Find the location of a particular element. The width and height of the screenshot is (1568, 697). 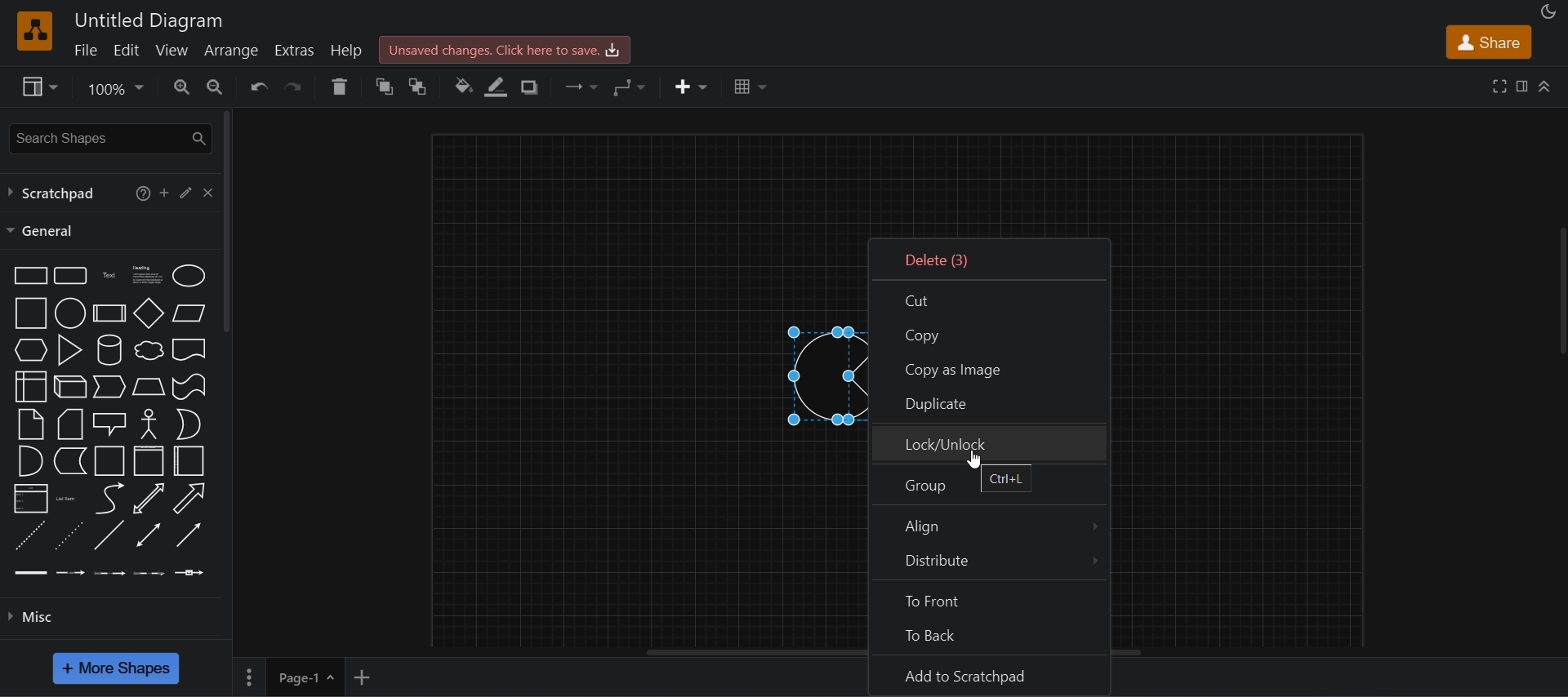

document is located at coordinates (189, 349).